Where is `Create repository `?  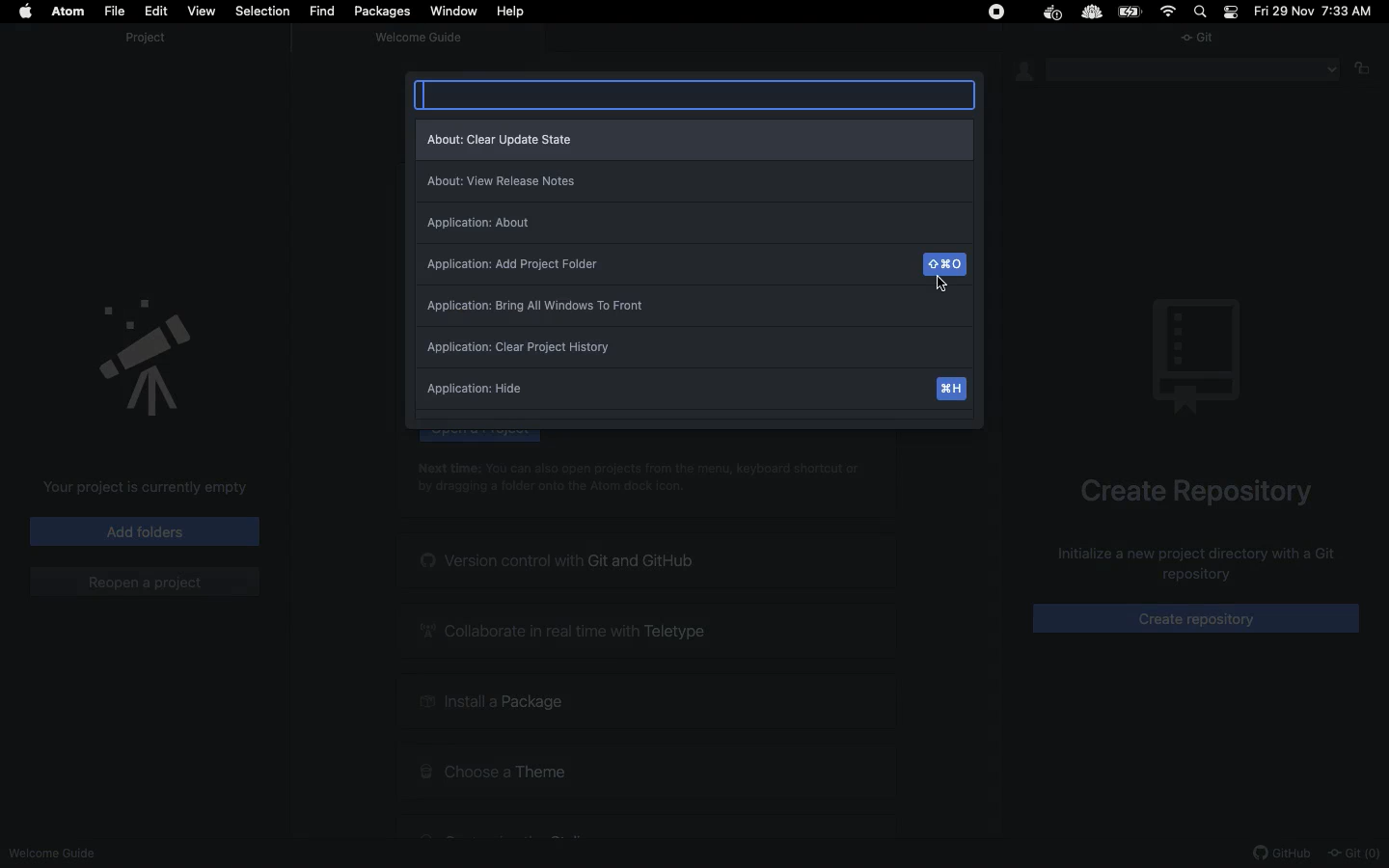
Create repository  is located at coordinates (1198, 493).